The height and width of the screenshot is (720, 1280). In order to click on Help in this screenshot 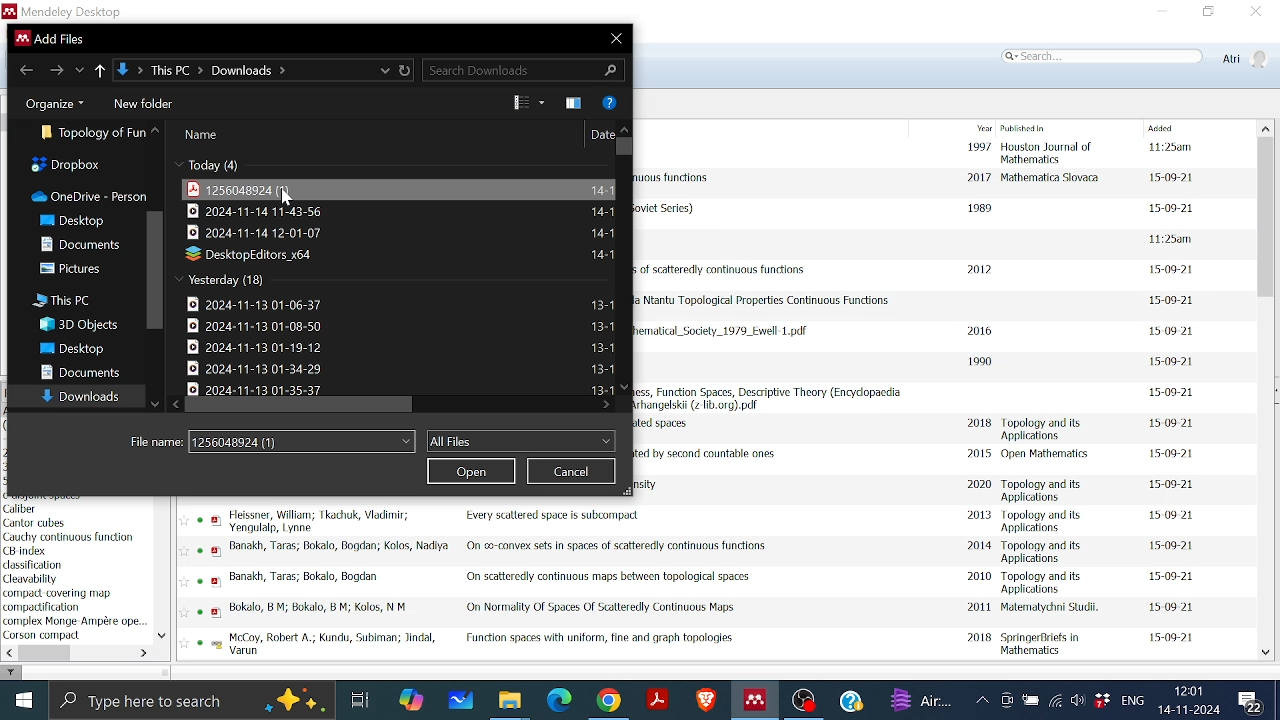, I will do `click(611, 100)`.